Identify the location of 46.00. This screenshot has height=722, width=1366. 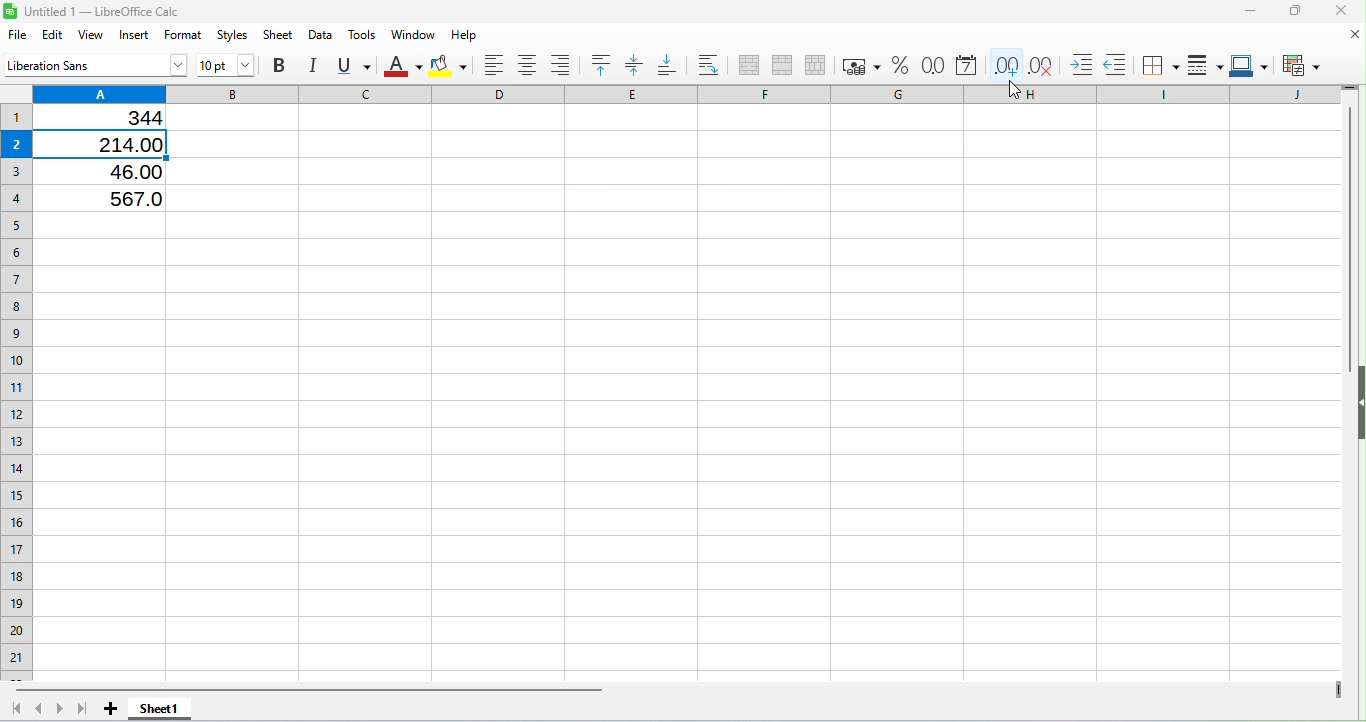
(122, 171).